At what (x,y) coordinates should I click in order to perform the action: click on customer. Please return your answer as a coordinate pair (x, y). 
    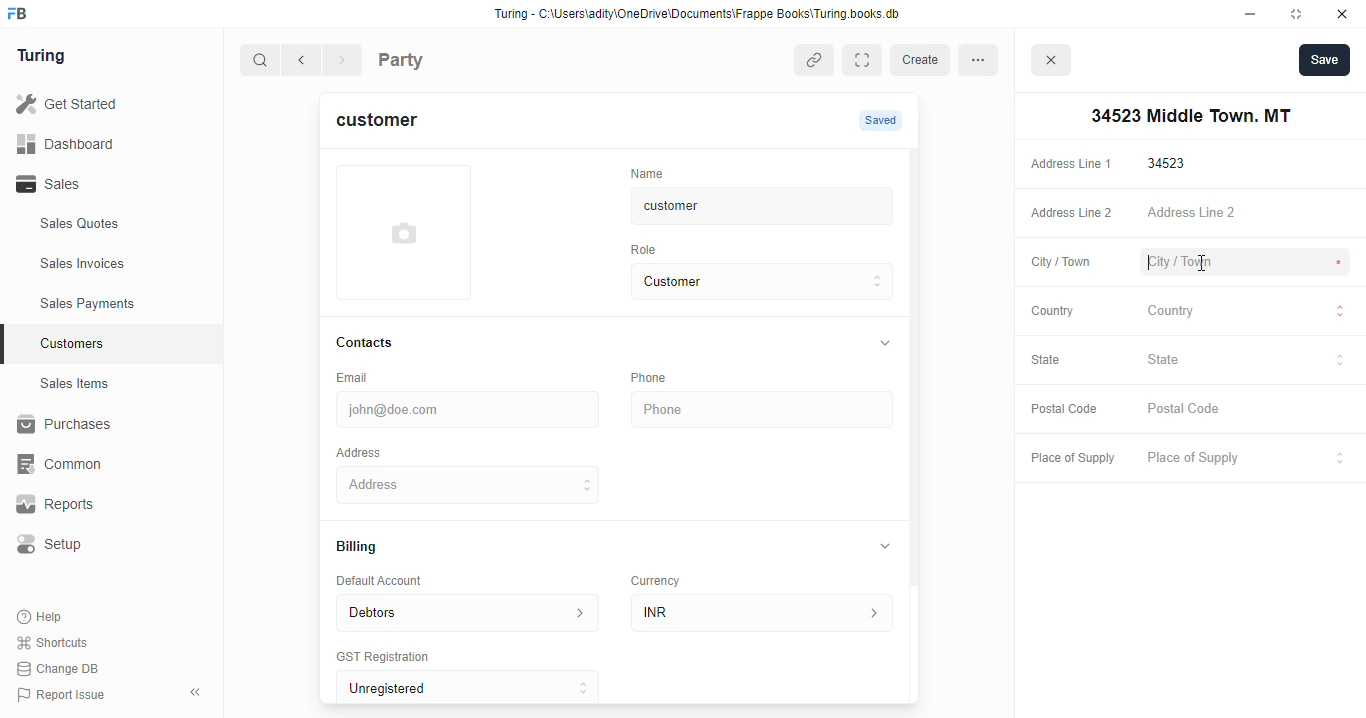
    Looking at the image, I should click on (389, 123).